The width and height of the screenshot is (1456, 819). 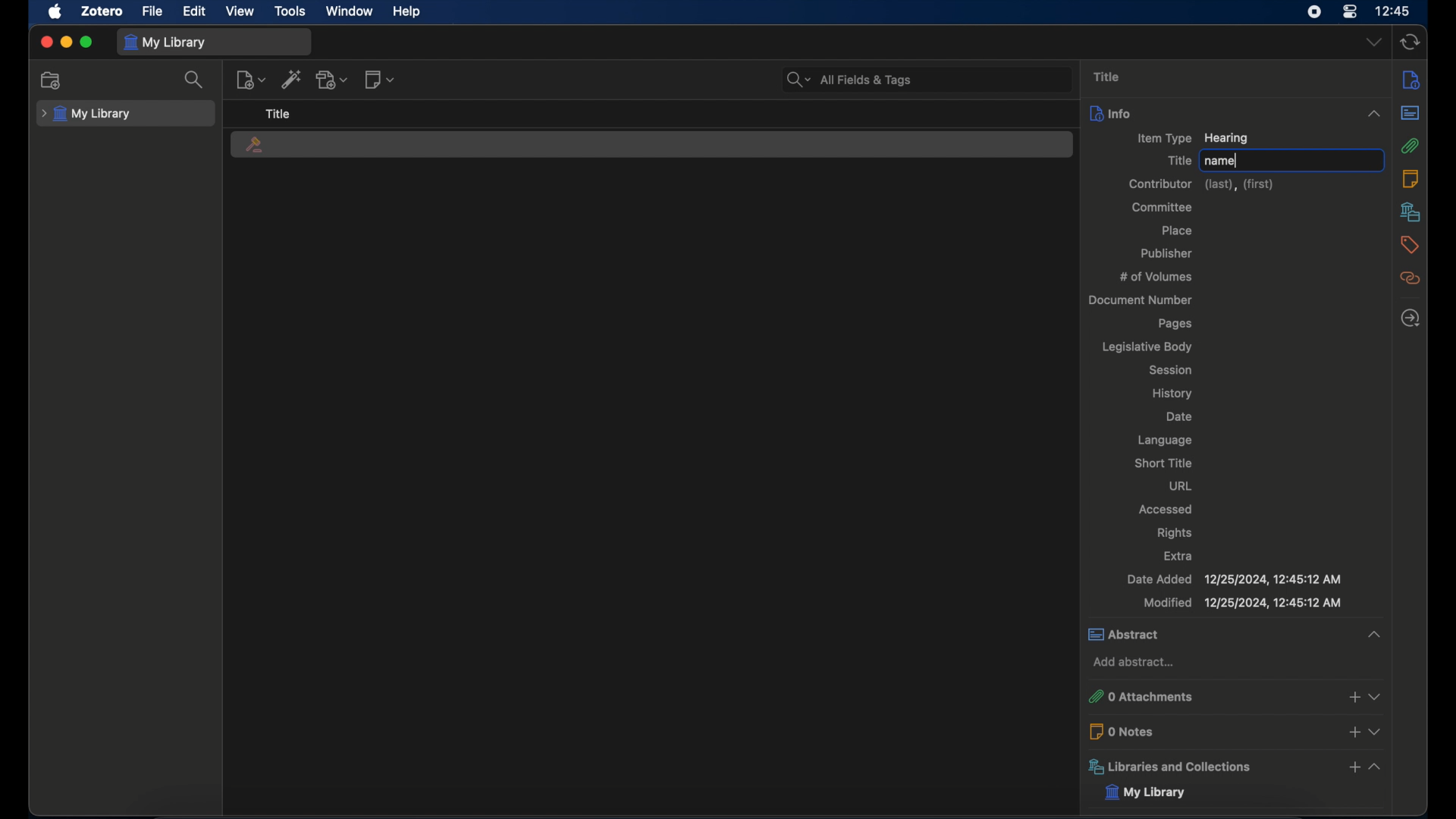 I want to click on history, so click(x=1173, y=394).